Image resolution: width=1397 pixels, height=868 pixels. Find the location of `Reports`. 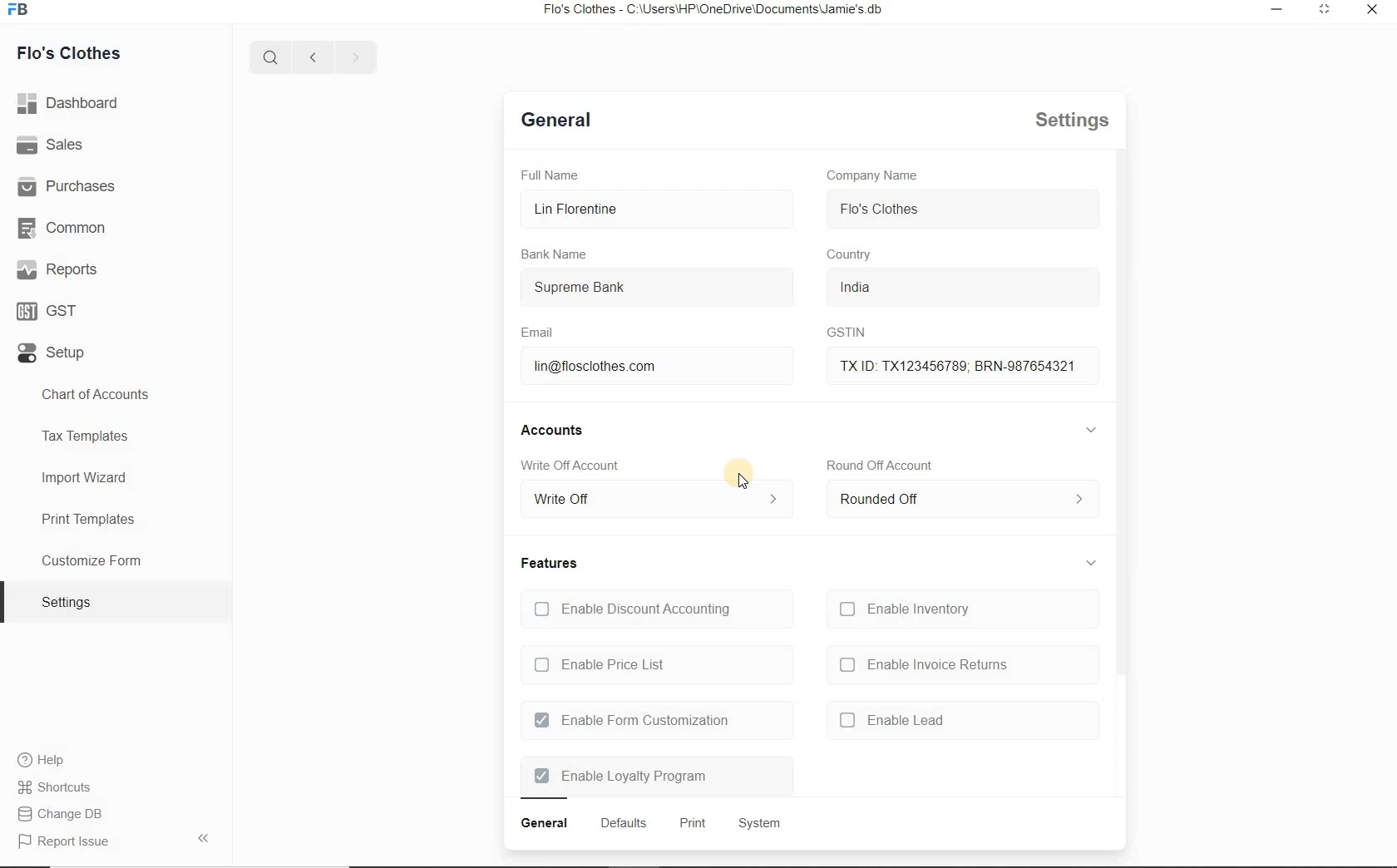

Reports is located at coordinates (56, 269).